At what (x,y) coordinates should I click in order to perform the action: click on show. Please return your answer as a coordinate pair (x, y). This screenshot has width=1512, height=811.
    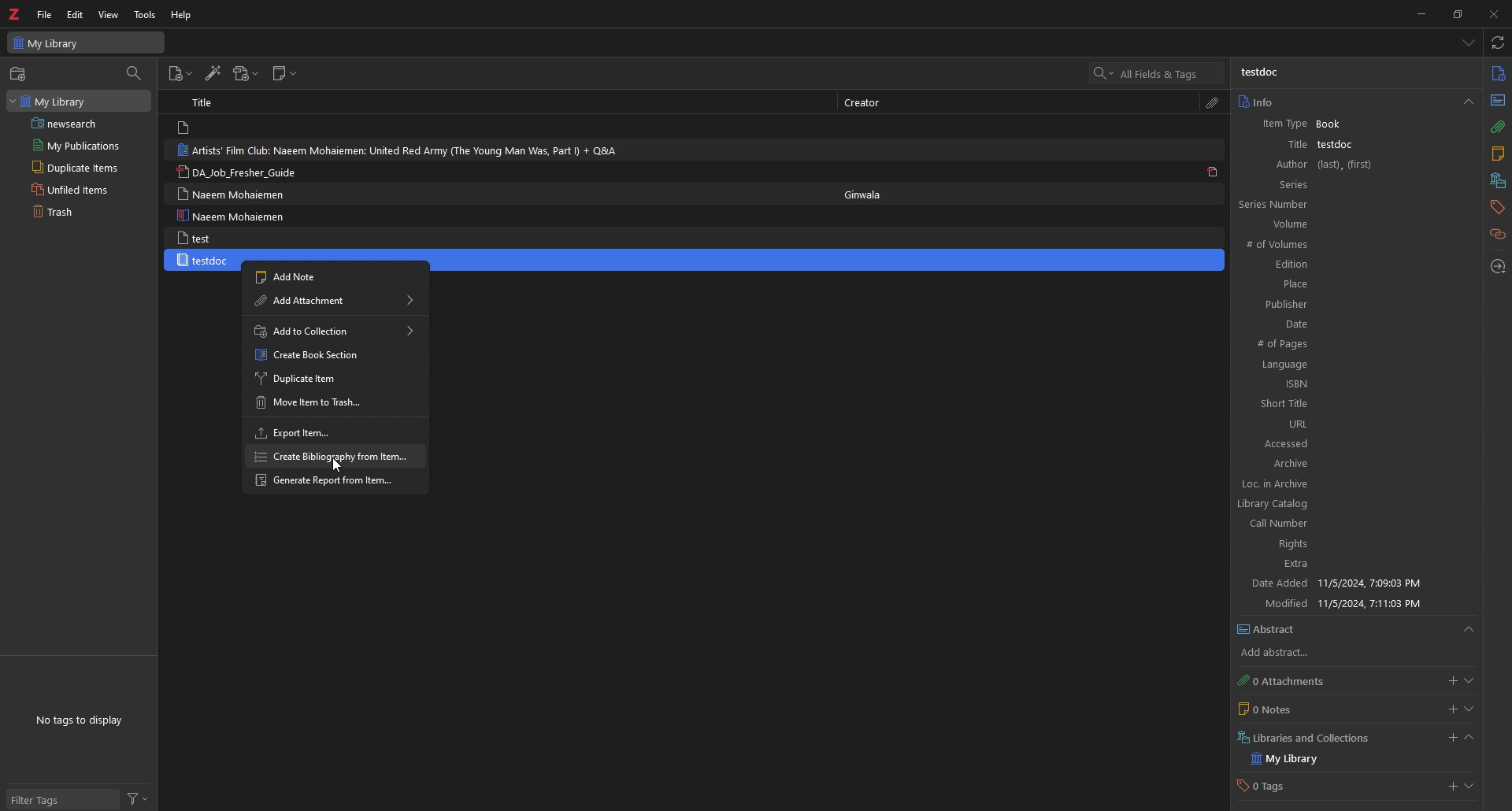
    Looking at the image, I should click on (1472, 788).